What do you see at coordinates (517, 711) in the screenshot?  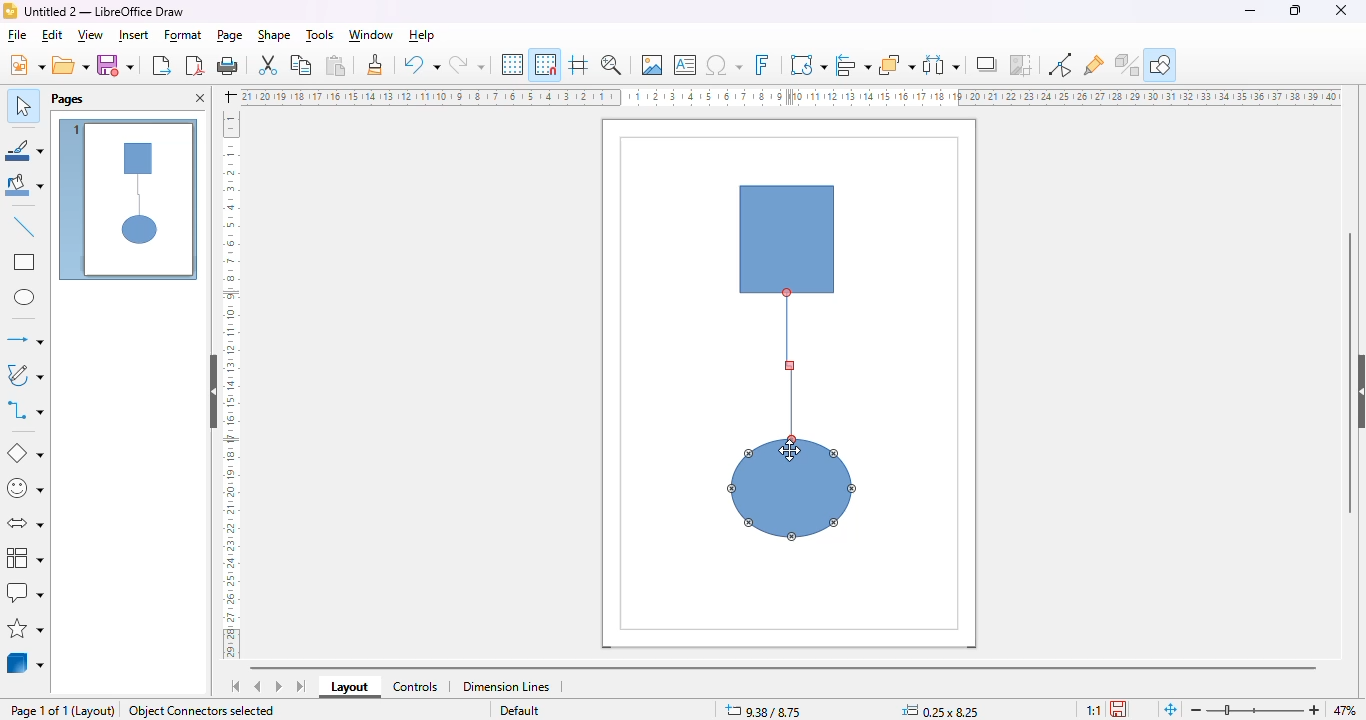 I see `Default` at bounding box center [517, 711].